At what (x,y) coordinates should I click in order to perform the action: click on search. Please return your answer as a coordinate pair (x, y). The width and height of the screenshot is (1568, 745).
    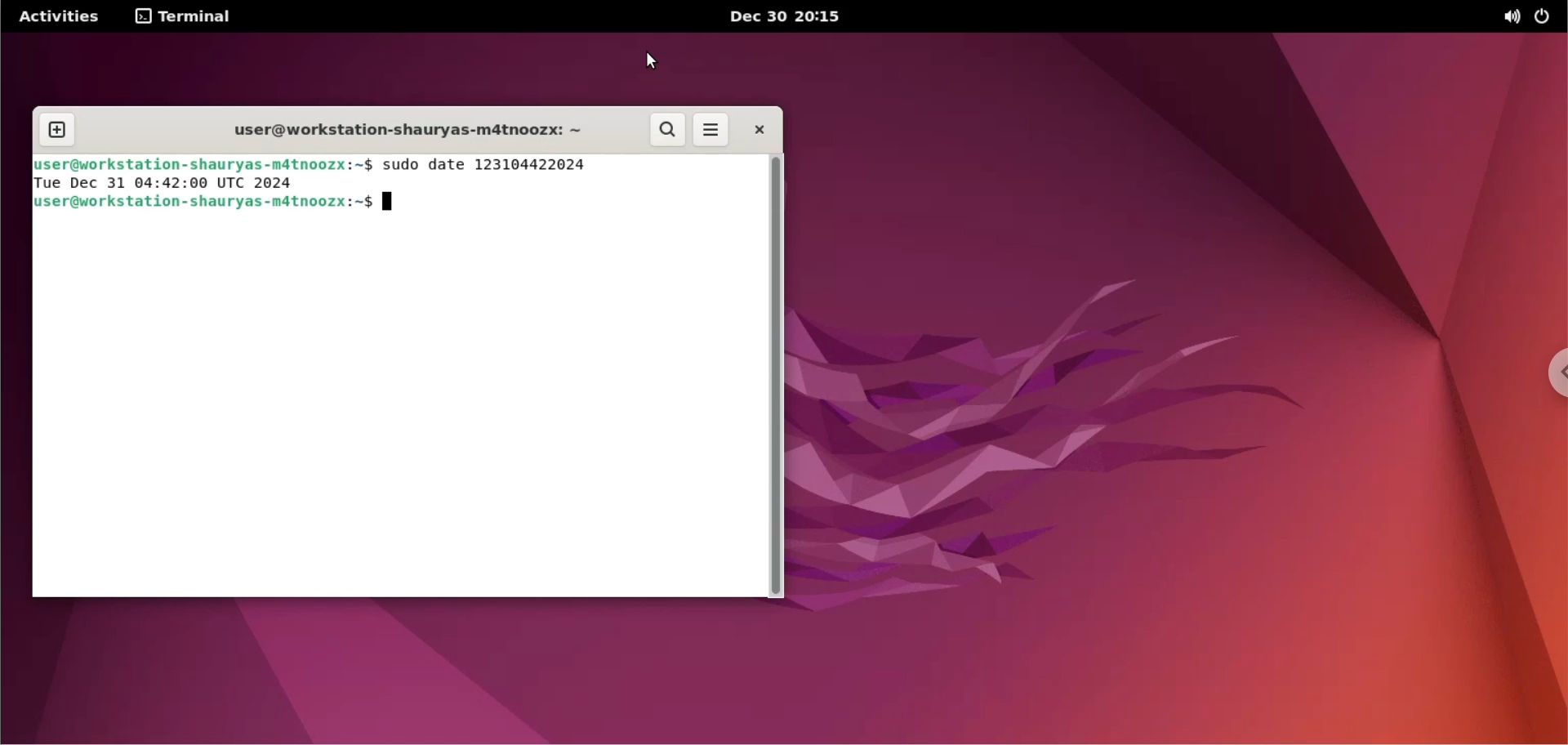
    Looking at the image, I should click on (668, 127).